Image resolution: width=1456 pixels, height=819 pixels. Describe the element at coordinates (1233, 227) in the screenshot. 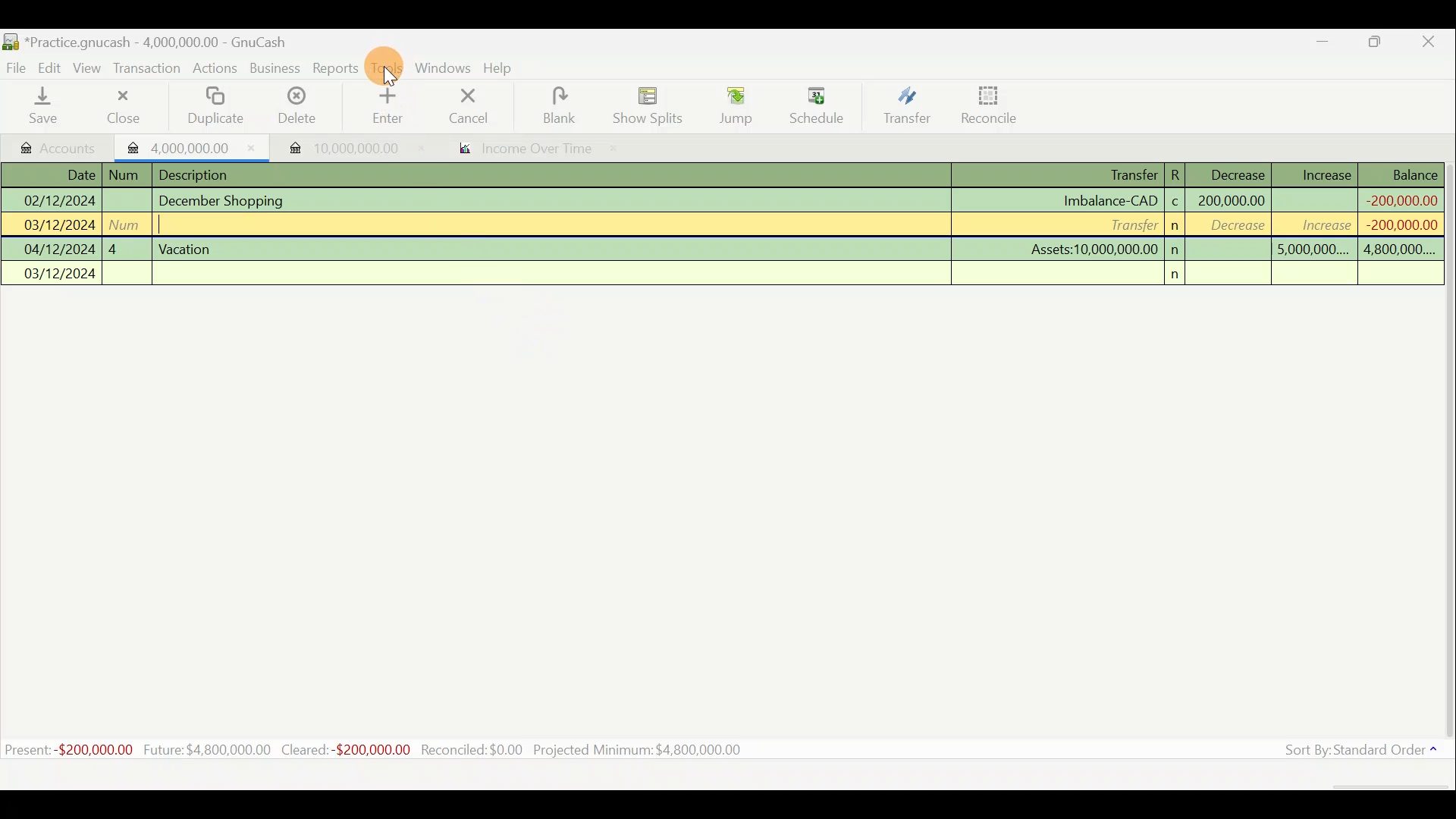

I see `decrease` at that location.